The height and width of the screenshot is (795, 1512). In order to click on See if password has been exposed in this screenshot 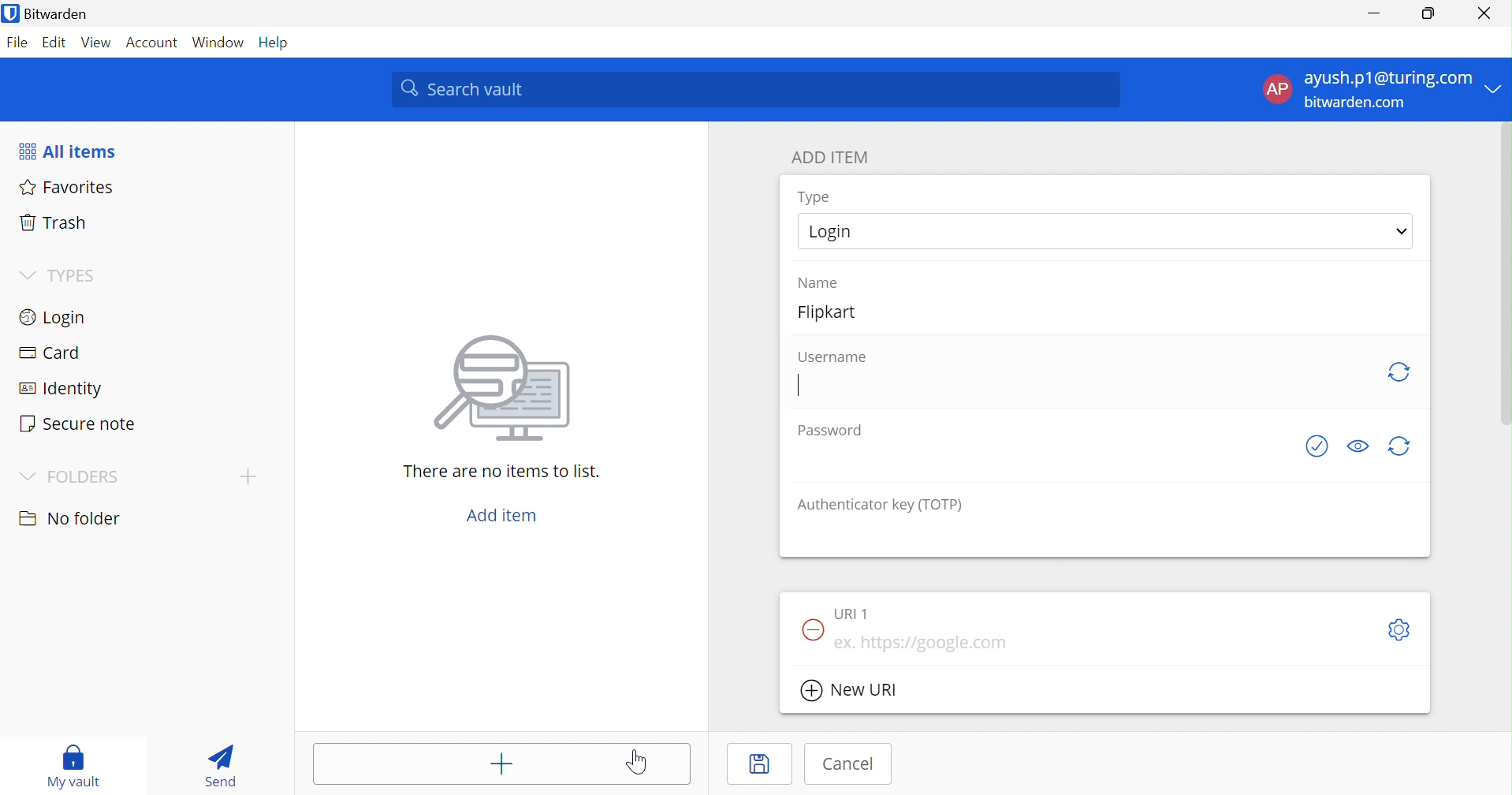, I will do `click(1317, 447)`.